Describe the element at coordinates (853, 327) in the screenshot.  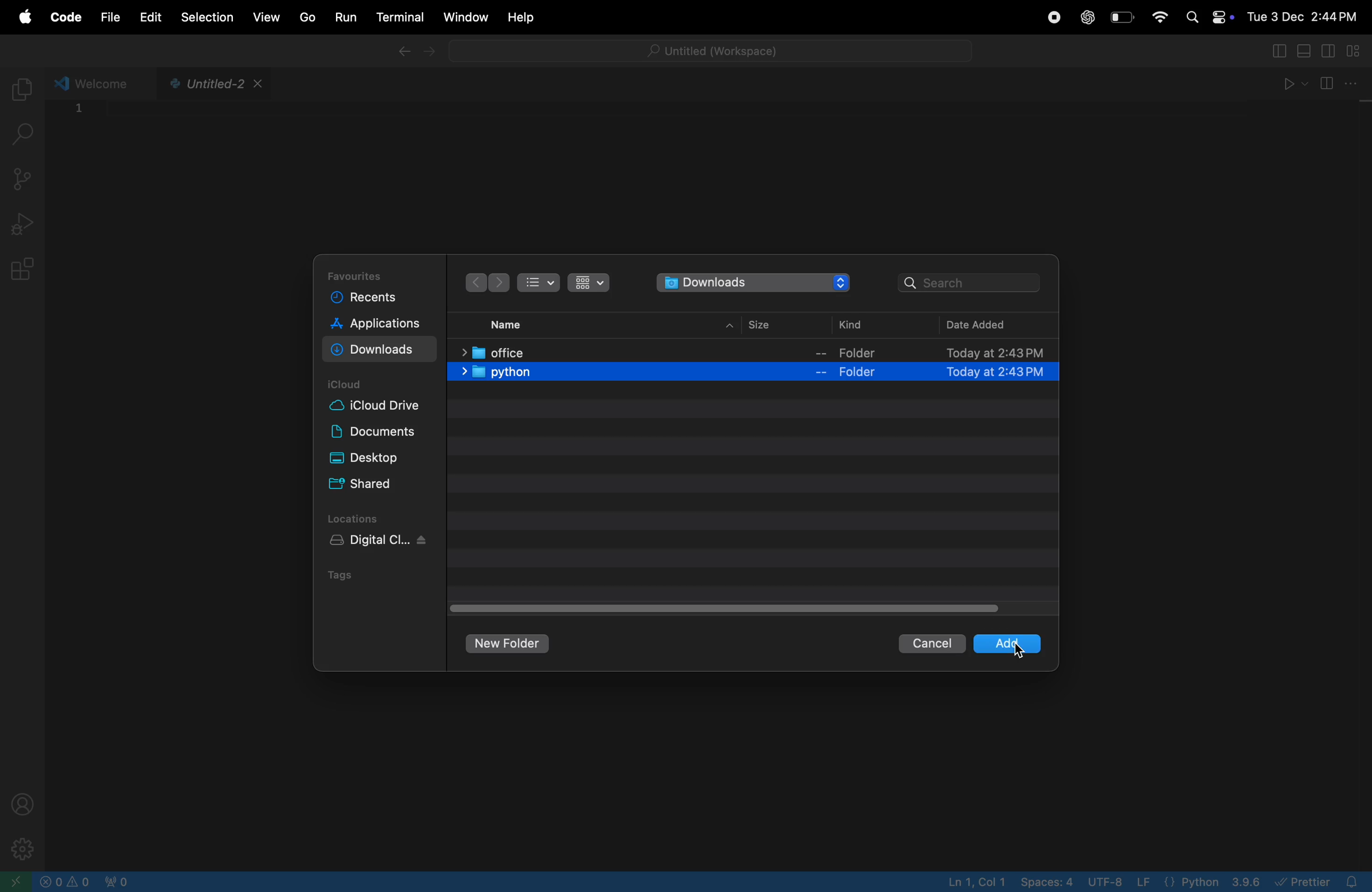
I see `kind` at that location.